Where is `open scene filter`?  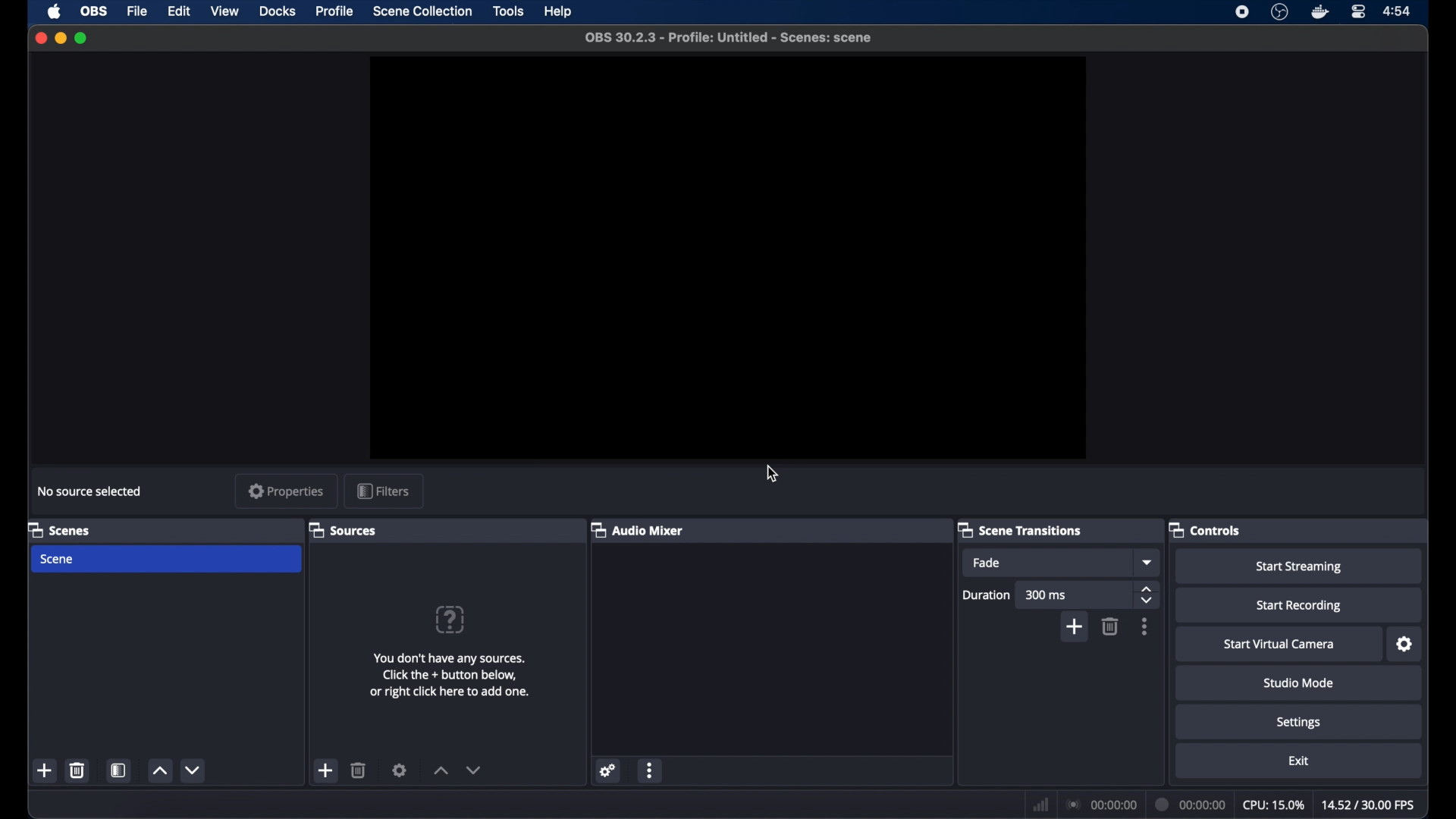
open scene filter is located at coordinates (118, 771).